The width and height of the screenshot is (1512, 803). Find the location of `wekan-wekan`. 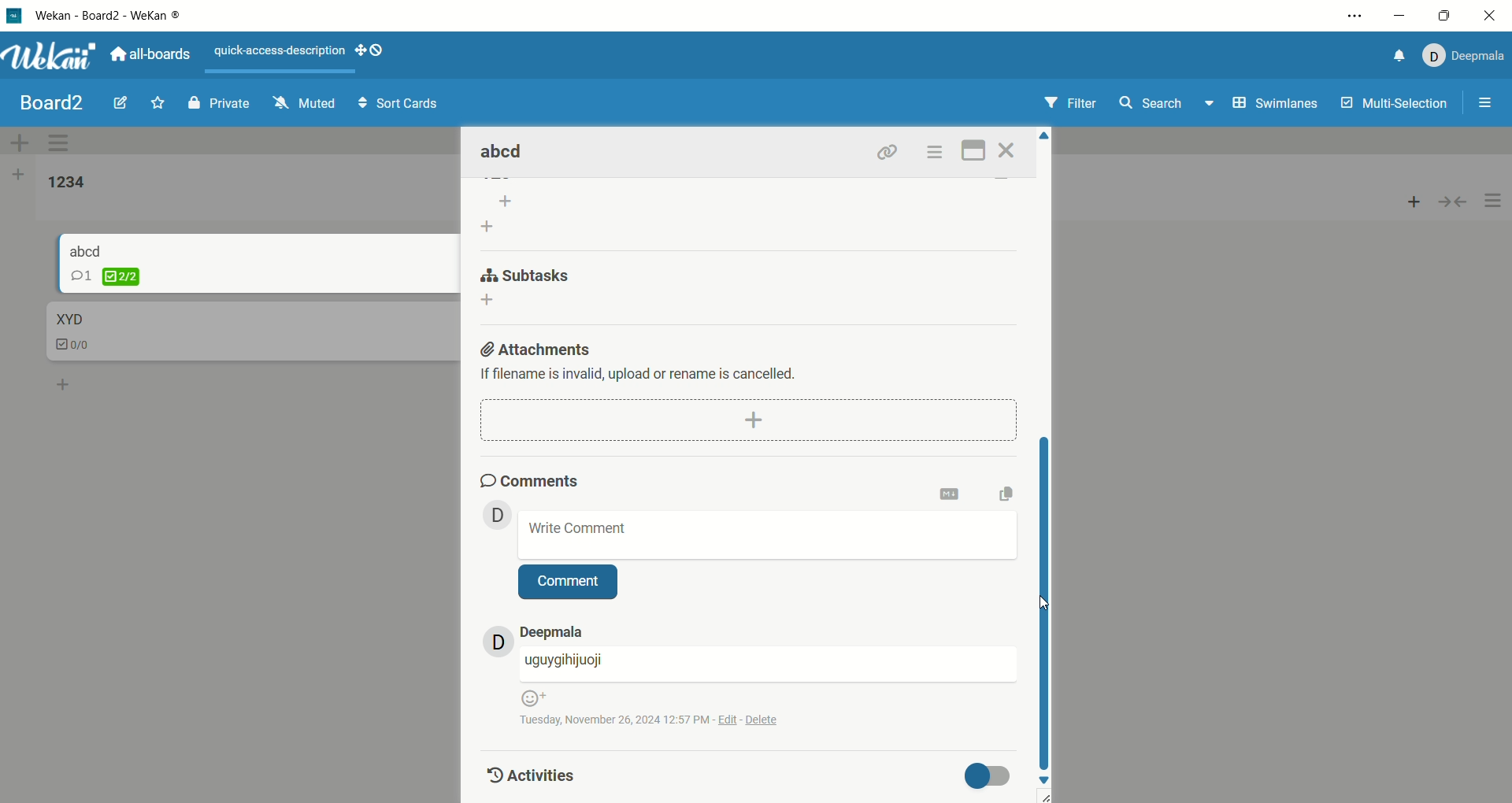

wekan-wekan is located at coordinates (108, 17).